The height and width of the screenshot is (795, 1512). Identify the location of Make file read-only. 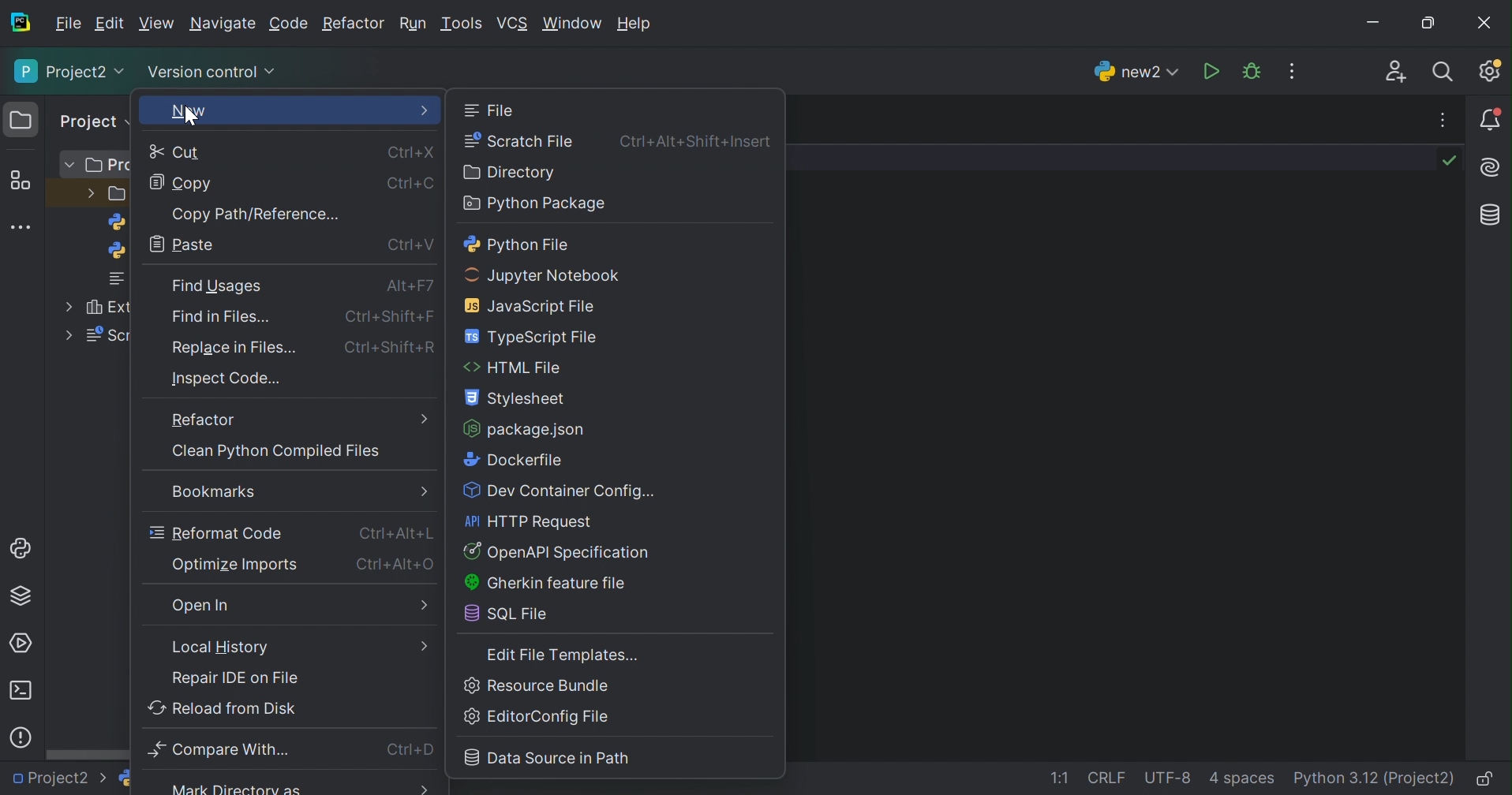
(1490, 779).